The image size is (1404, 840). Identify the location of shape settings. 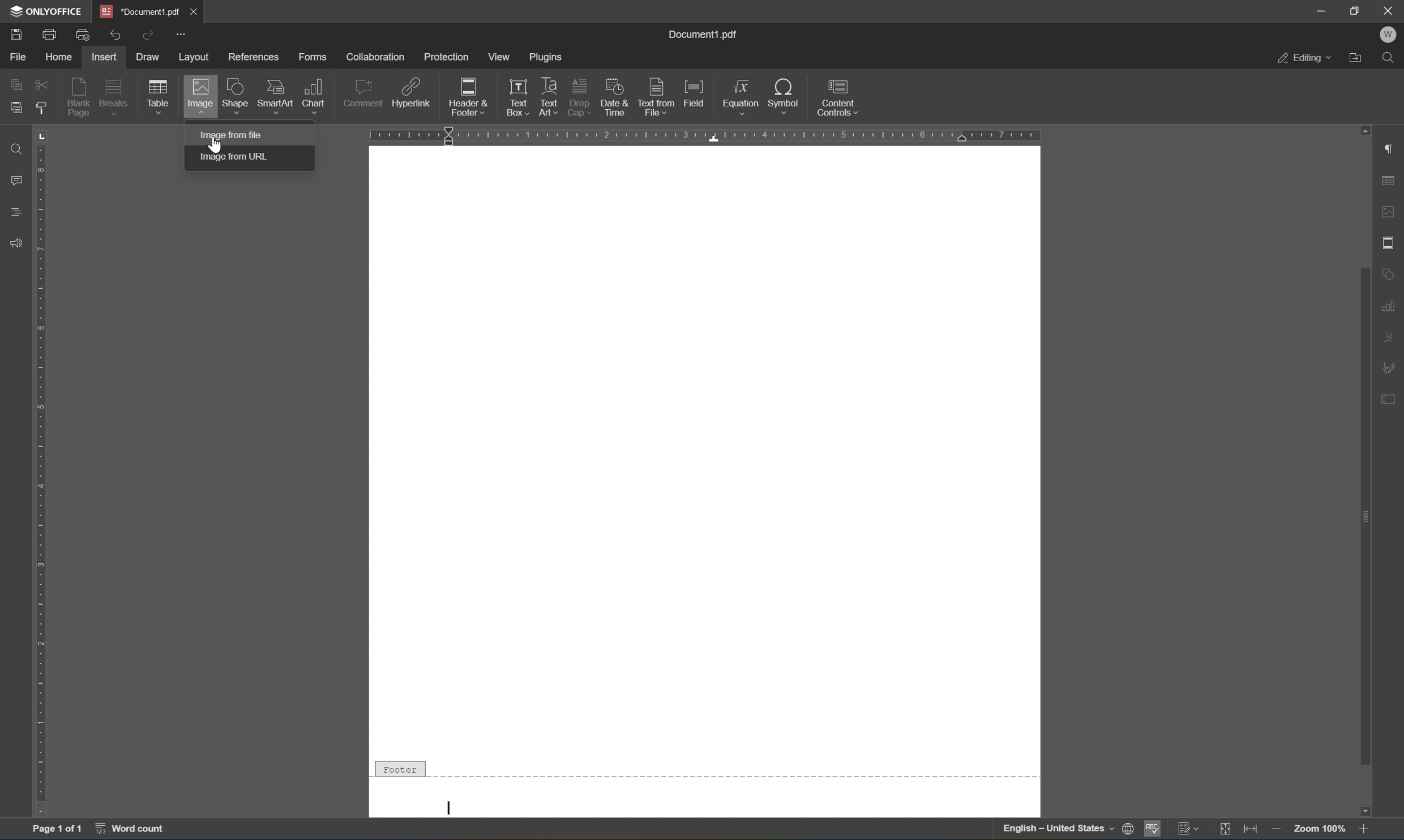
(1391, 272).